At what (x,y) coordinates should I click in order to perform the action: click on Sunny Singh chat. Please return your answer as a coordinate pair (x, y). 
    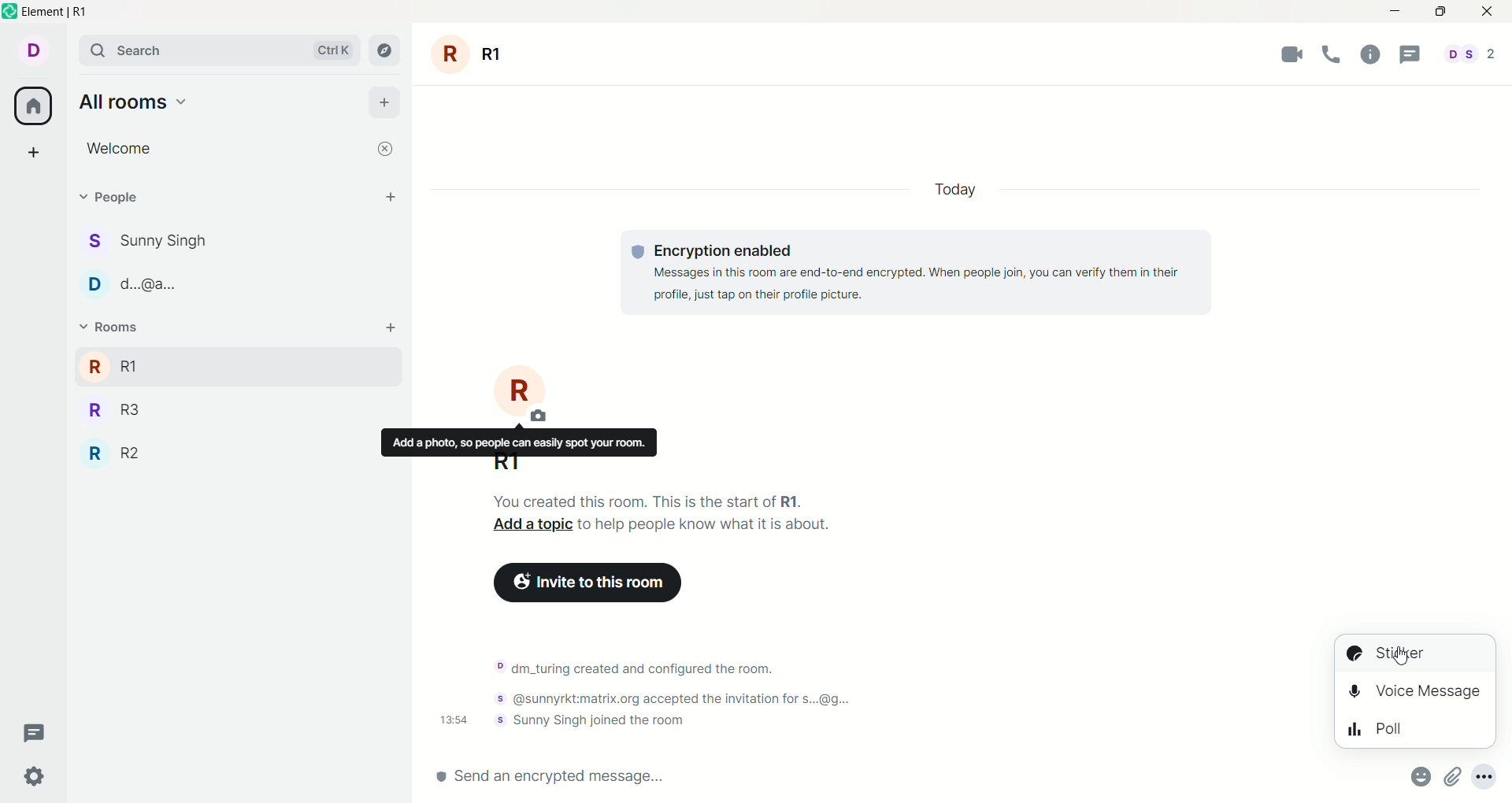
    Looking at the image, I should click on (145, 241).